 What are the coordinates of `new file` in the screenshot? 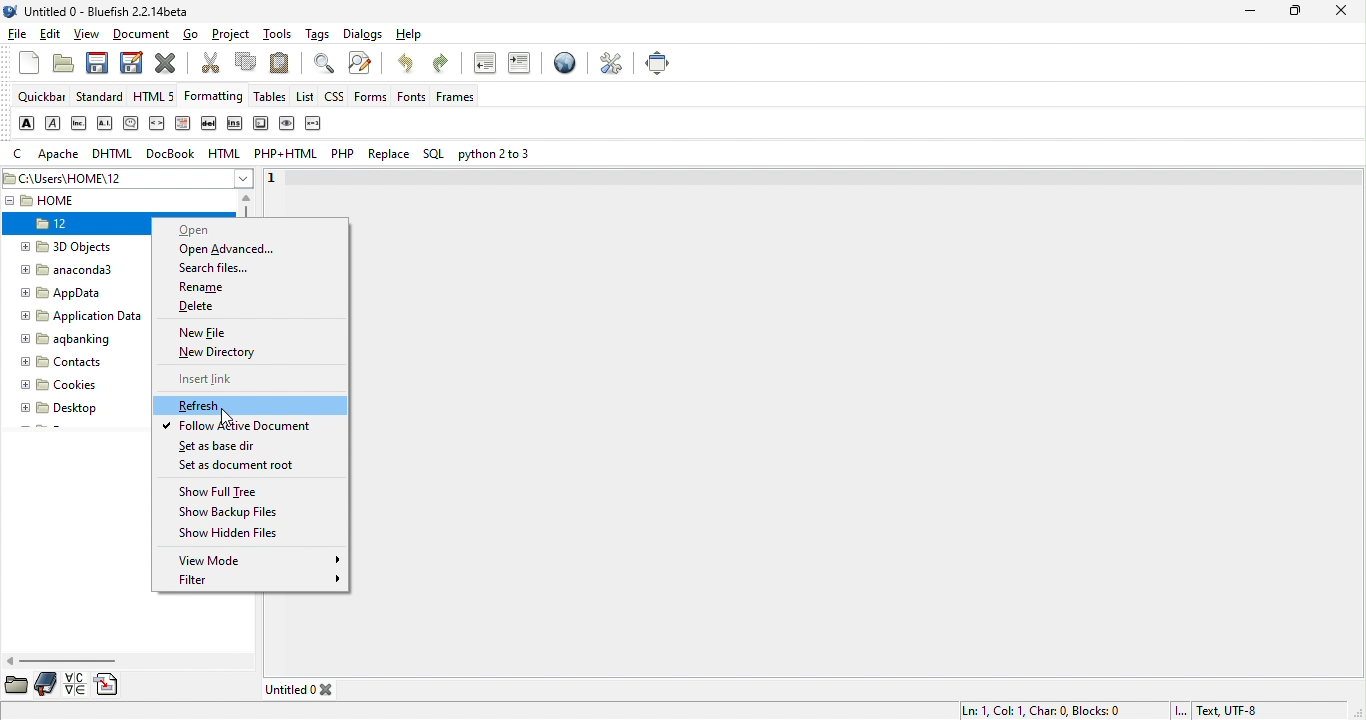 It's located at (210, 331).